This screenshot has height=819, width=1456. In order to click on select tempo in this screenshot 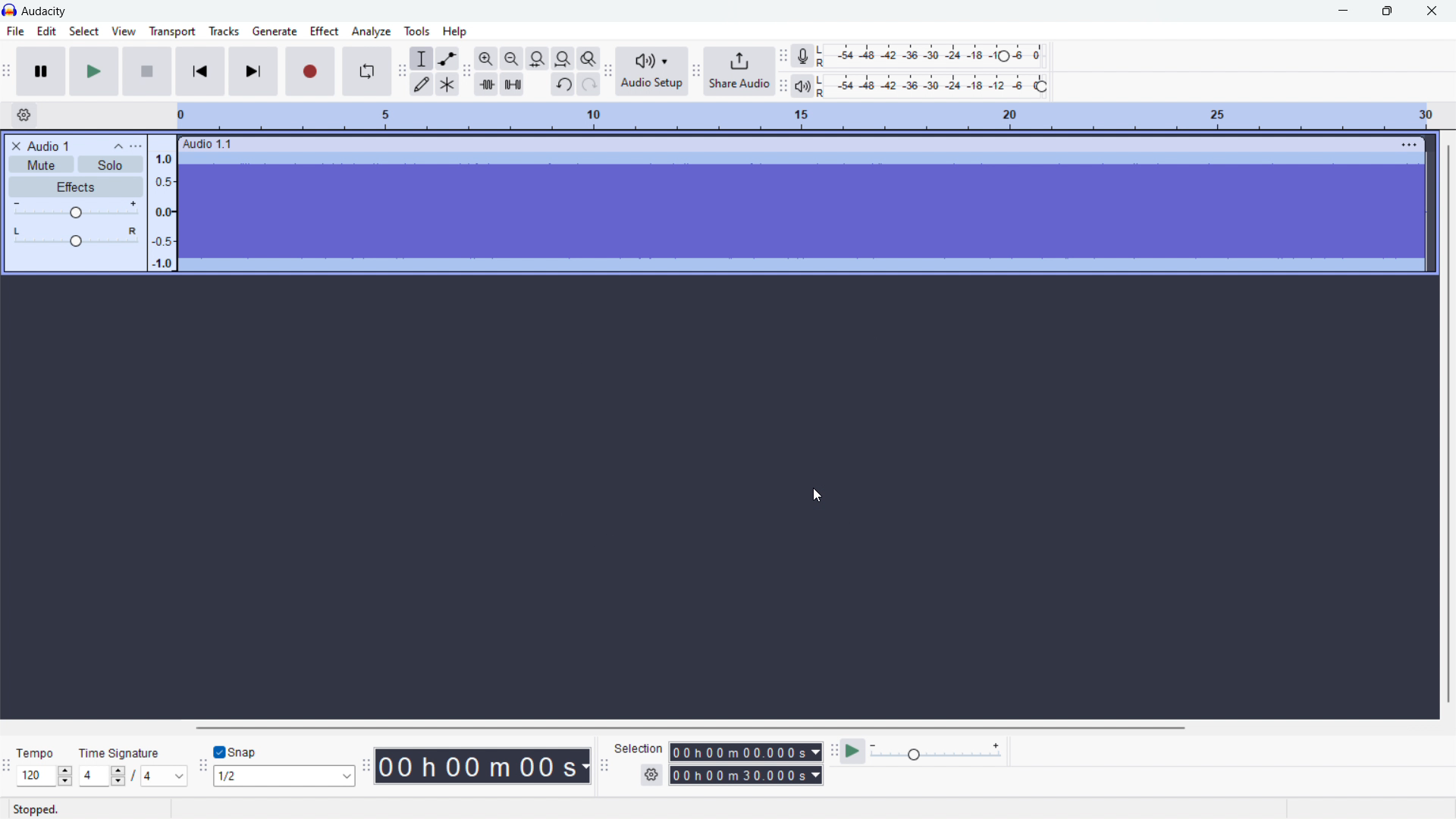, I will do `click(44, 776)`.